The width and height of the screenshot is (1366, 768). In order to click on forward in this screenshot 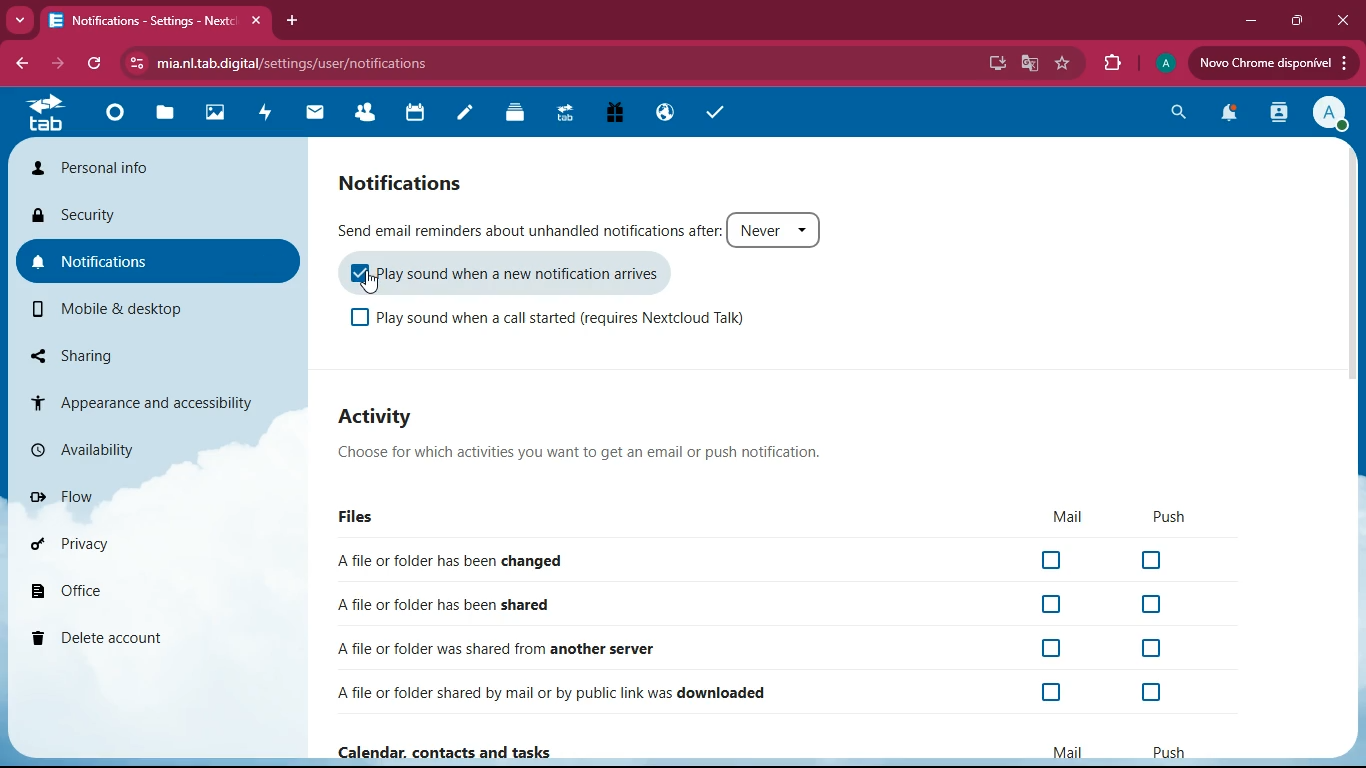, I will do `click(55, 64)`.